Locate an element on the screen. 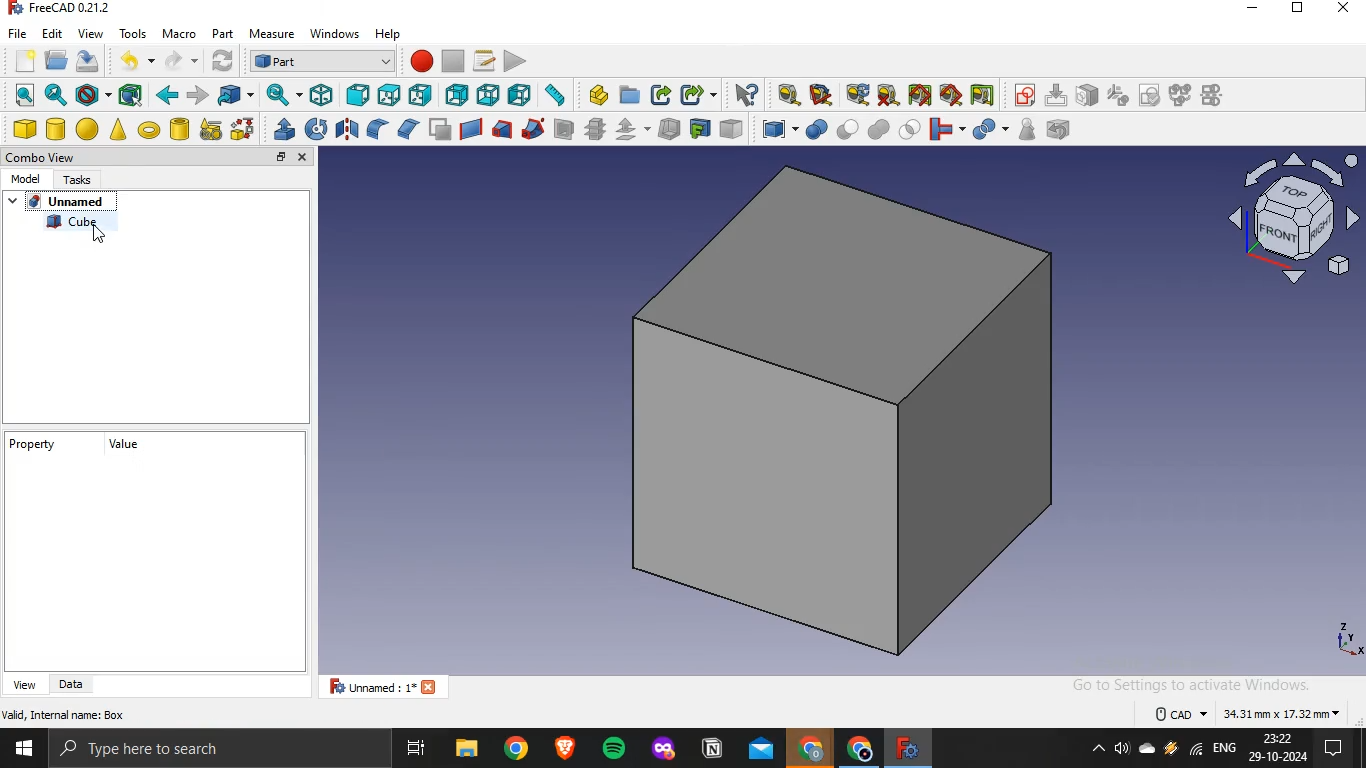  cube image is located at coordinates (848, 411).